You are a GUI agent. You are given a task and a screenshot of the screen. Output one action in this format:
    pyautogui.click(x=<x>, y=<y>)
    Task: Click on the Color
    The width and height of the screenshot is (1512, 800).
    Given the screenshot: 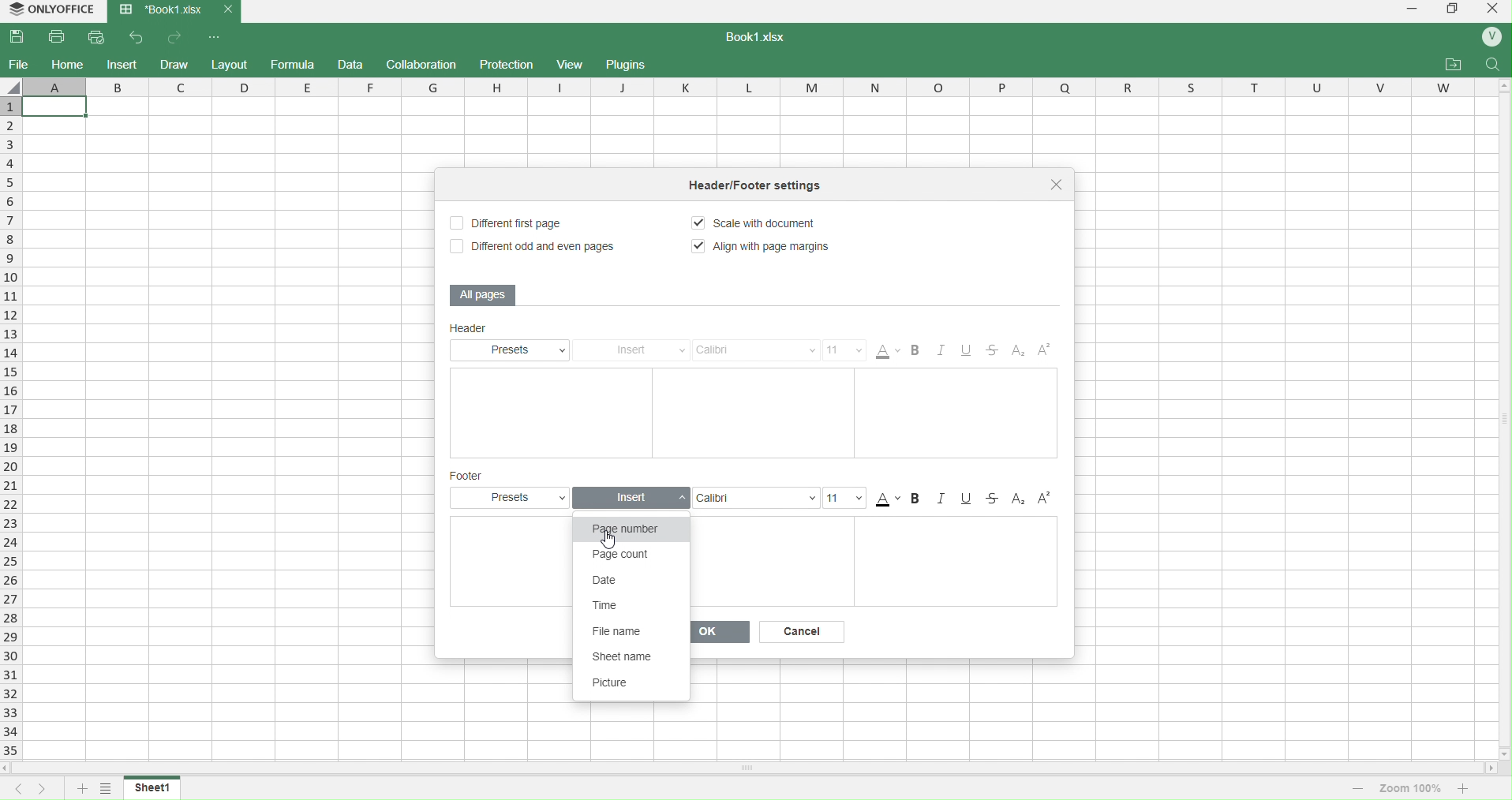 What is the action you would take?
    pyautogui.click(x=889, y=351)
    